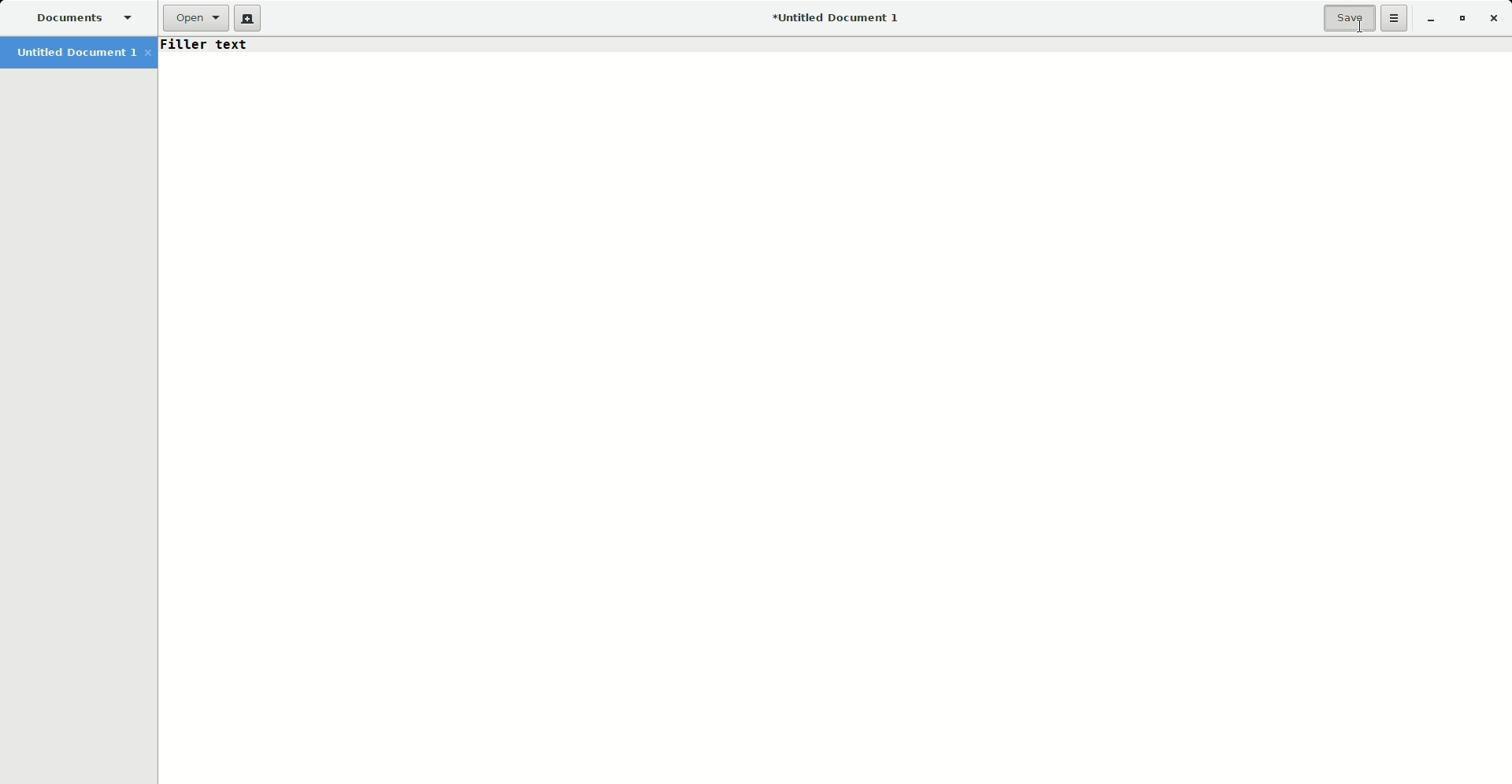  What do you see at coordinates (1355, 28) in the screenshot?
I see `cursor` at bounding box center [1355, 28].